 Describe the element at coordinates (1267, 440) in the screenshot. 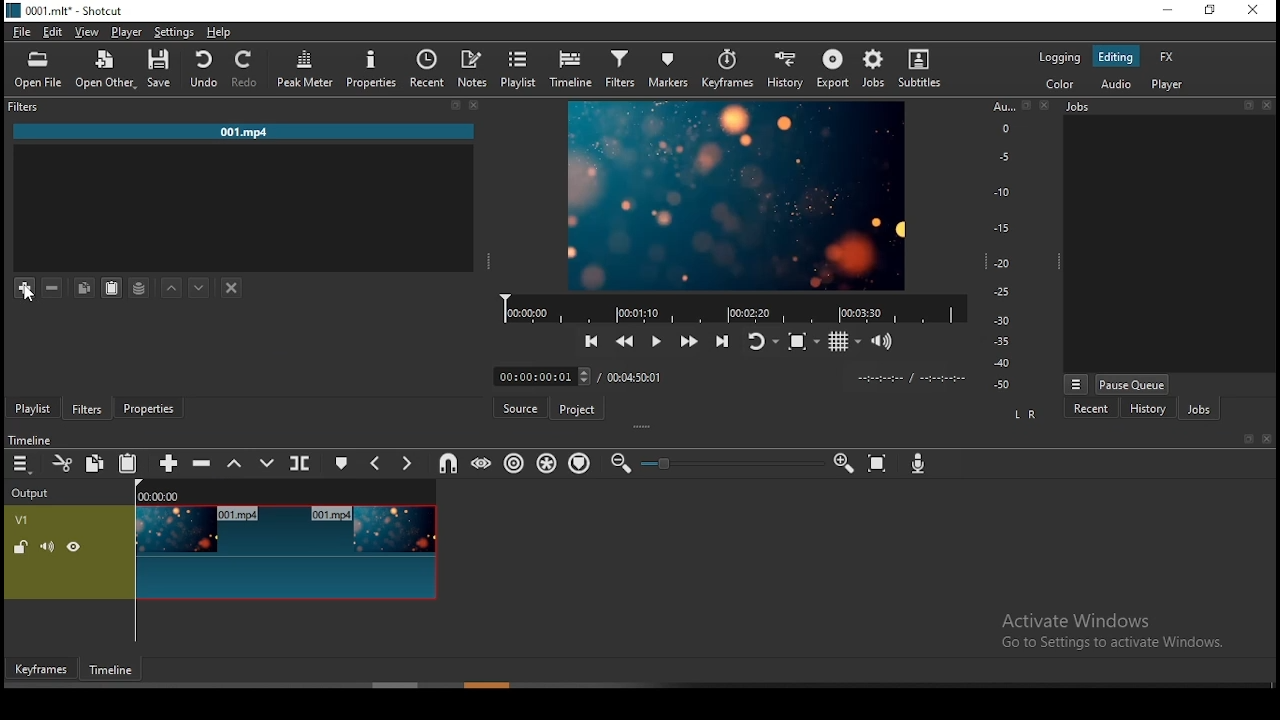

I see `close` at that location.